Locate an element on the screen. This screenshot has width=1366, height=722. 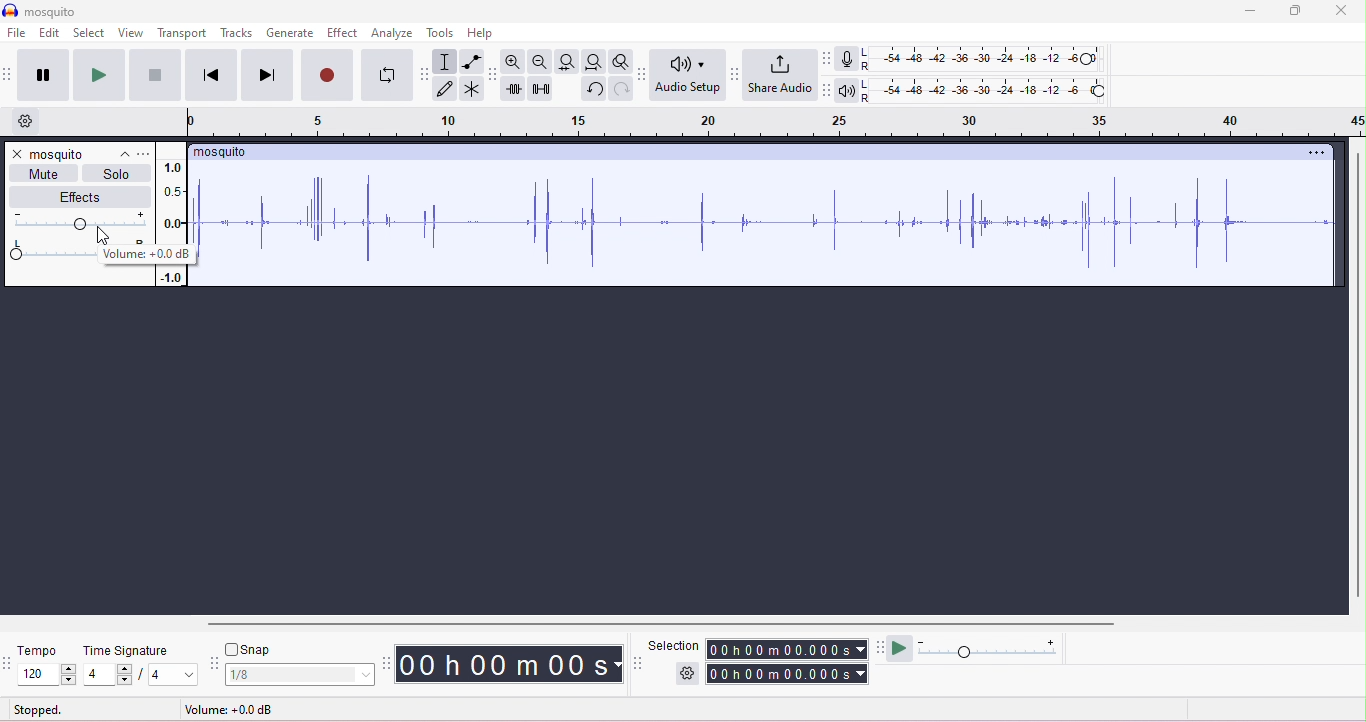
record meter is located at coordinates (849, 60).